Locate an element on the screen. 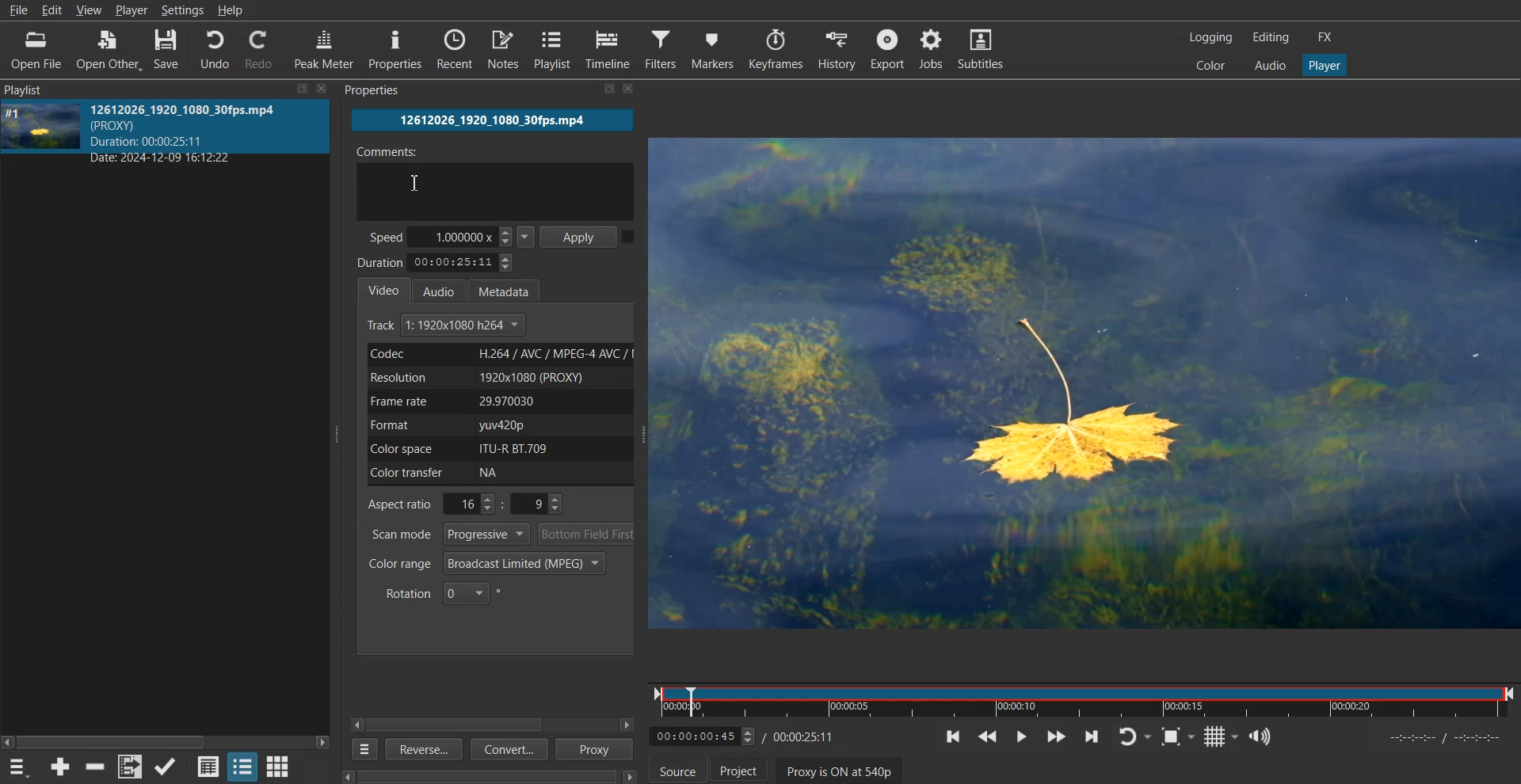 This screenshot has height=784, width=1521. More Options is located at coordinates (361, 749).